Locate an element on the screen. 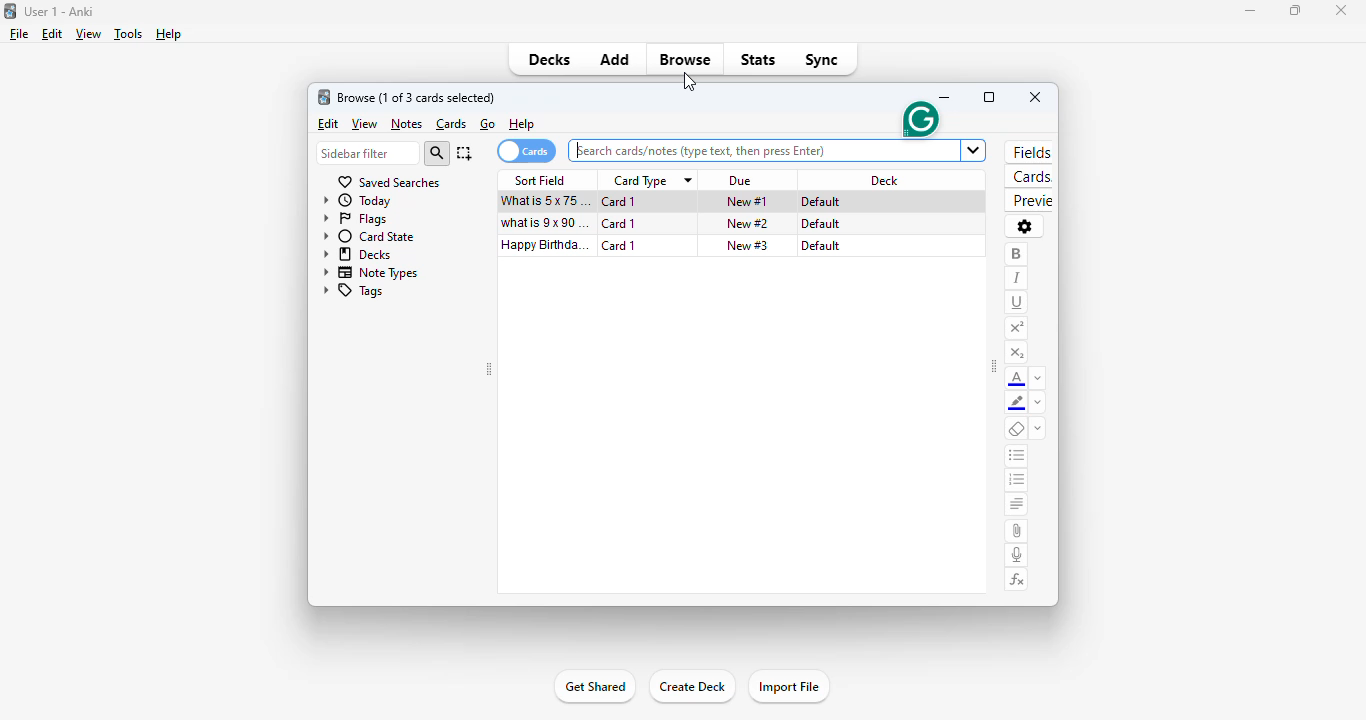  alignment is located at coordinates (1017, 503).